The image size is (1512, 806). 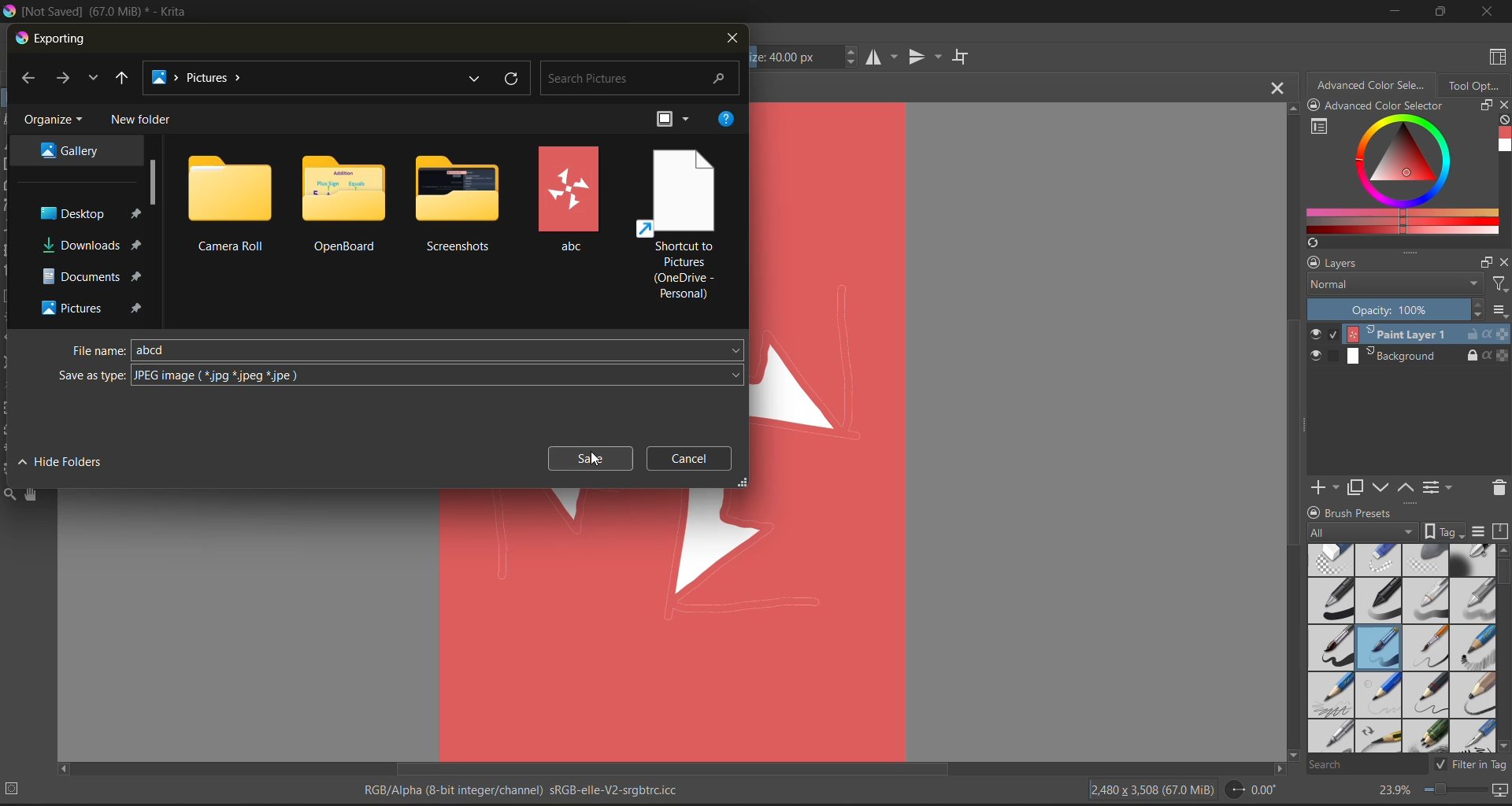 What do you see at coordinates (303, 76) in the screenshot?
I see `file location` at bounding box center [303, 76].